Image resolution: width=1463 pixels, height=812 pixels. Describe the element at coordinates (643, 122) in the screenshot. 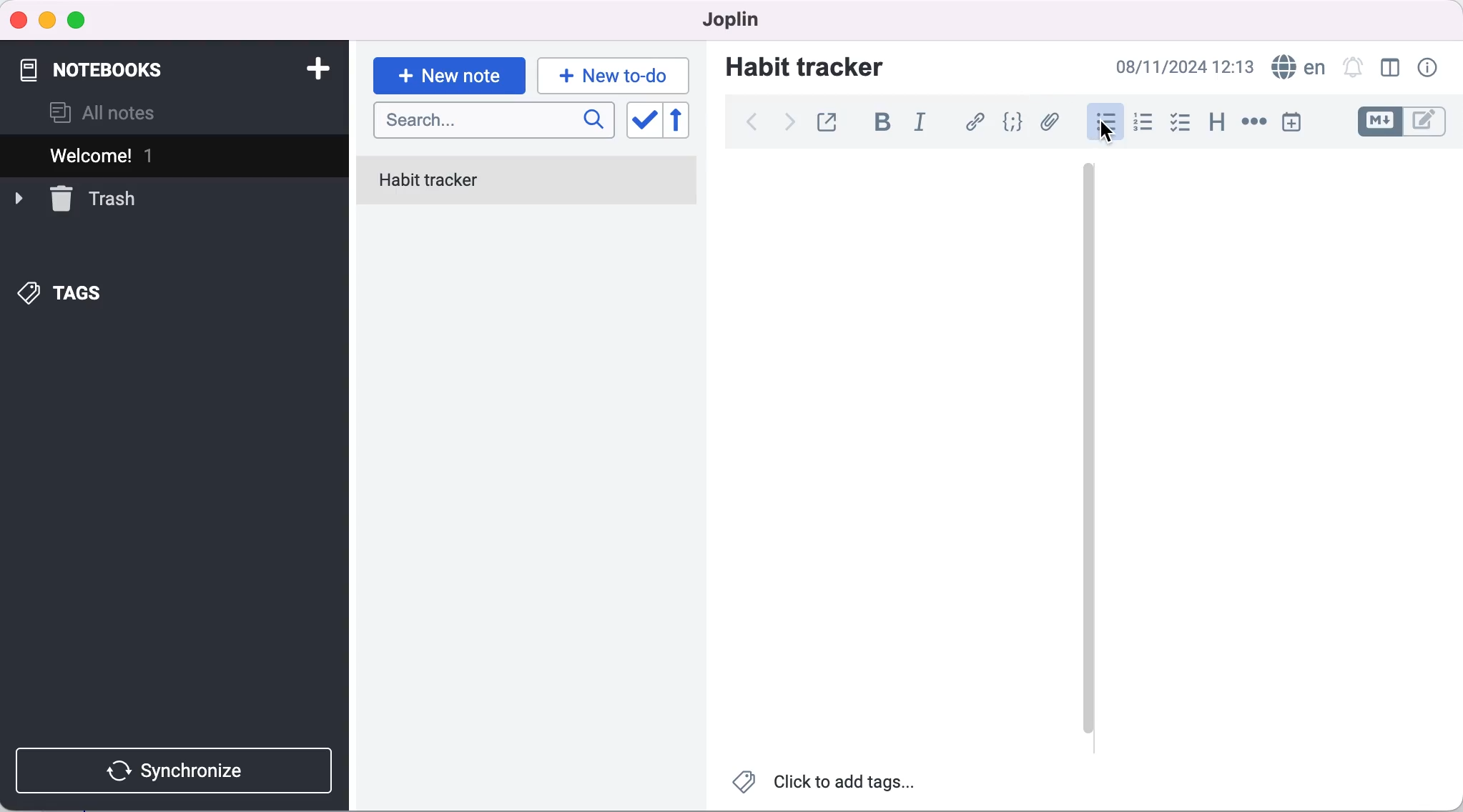

I see `toggle sort order field` at that location.